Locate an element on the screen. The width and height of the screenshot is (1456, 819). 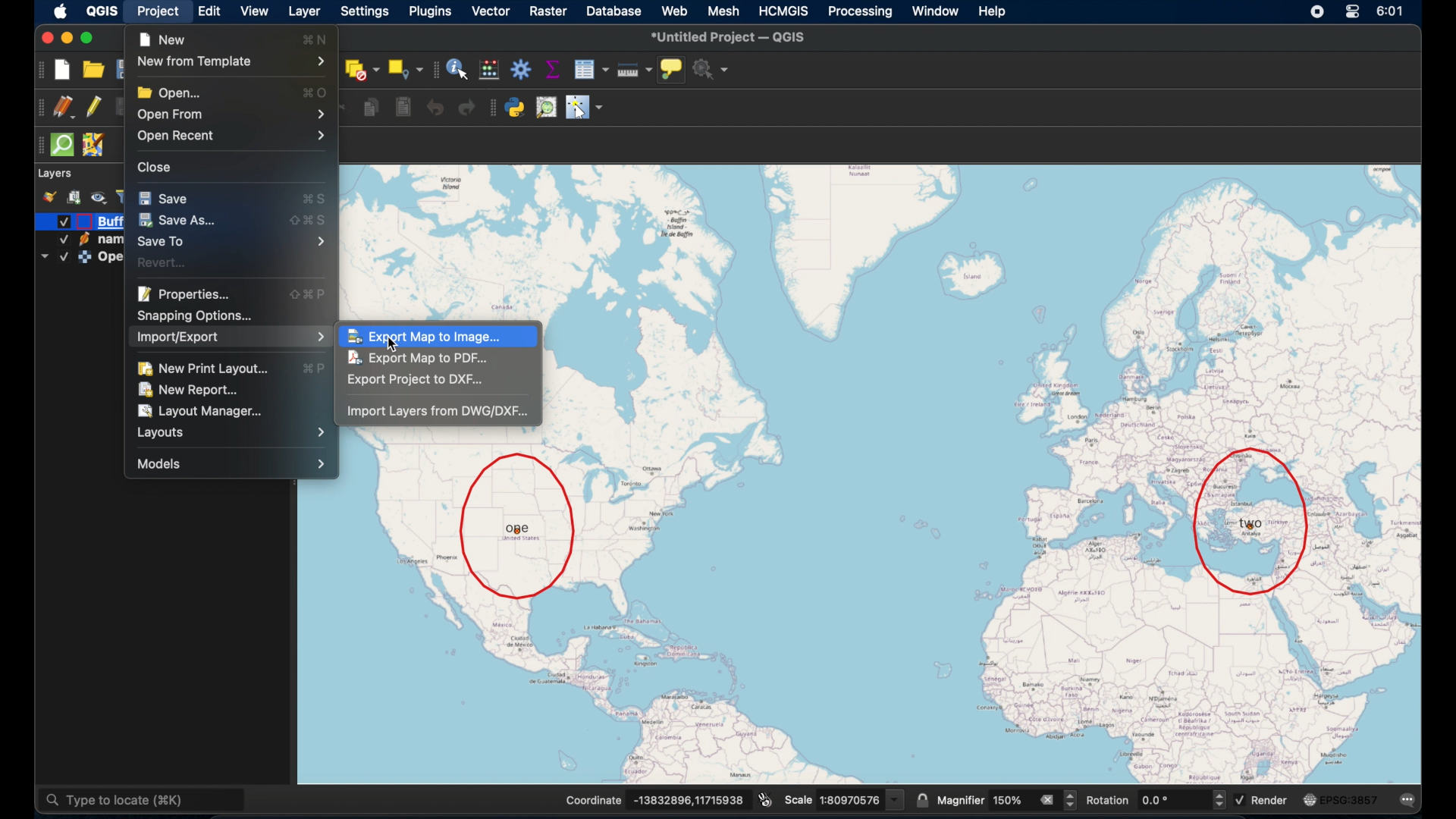
open recent is located at coordinates (234, 138).